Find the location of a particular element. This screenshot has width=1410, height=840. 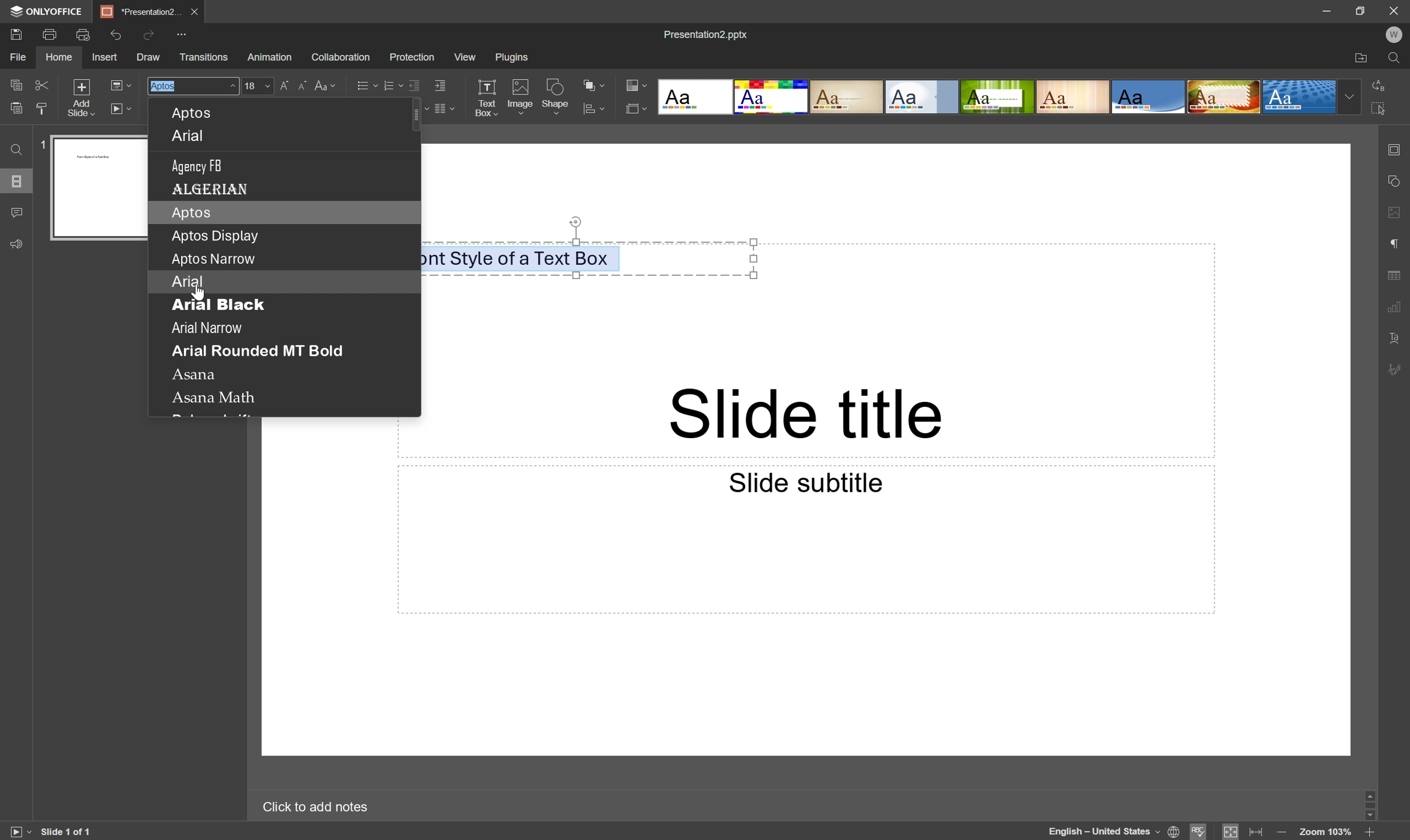

Cut is located at coordinates (43, 83).